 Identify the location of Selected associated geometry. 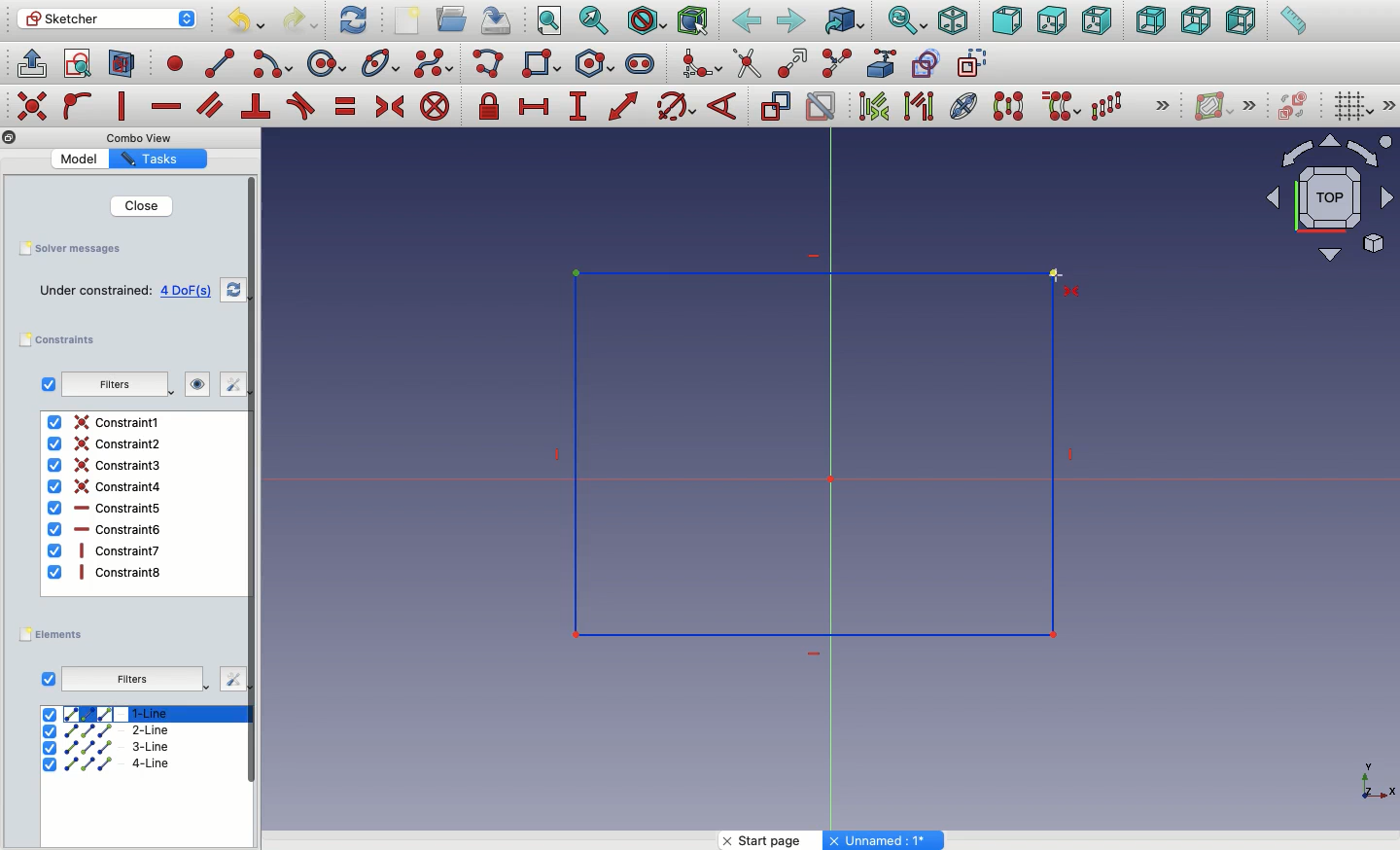
(917, 105).